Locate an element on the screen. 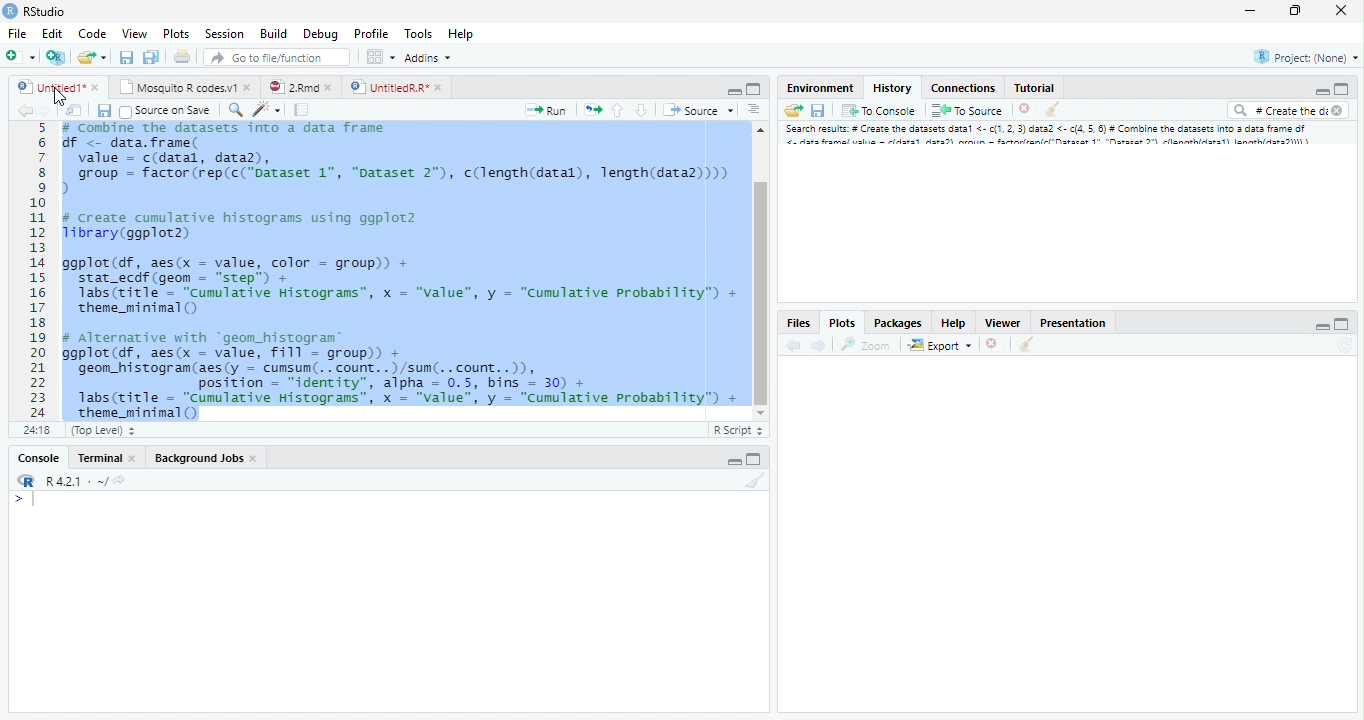 The width and height of the screenshot is (1364, 720). Minimize is located at coordinates (733, 91).